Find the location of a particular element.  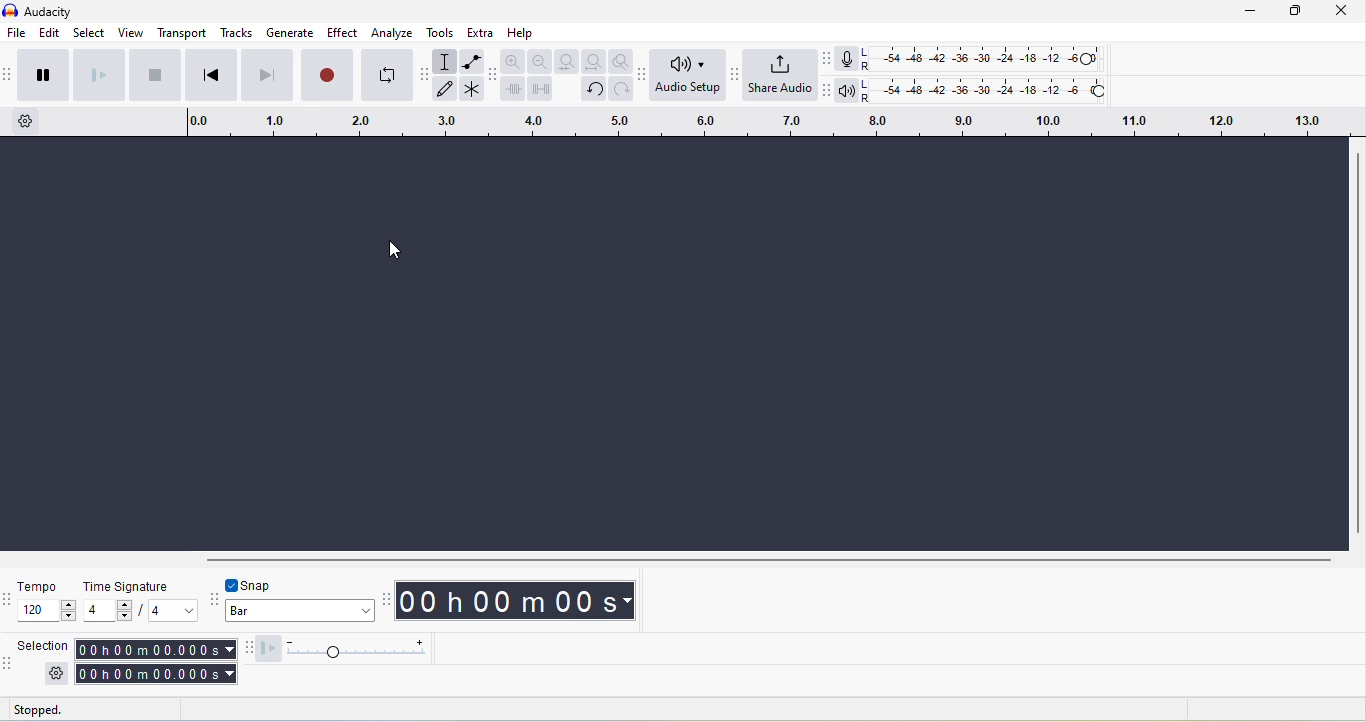

audacity playback meter toolbar is located at coordinates (823, 92).